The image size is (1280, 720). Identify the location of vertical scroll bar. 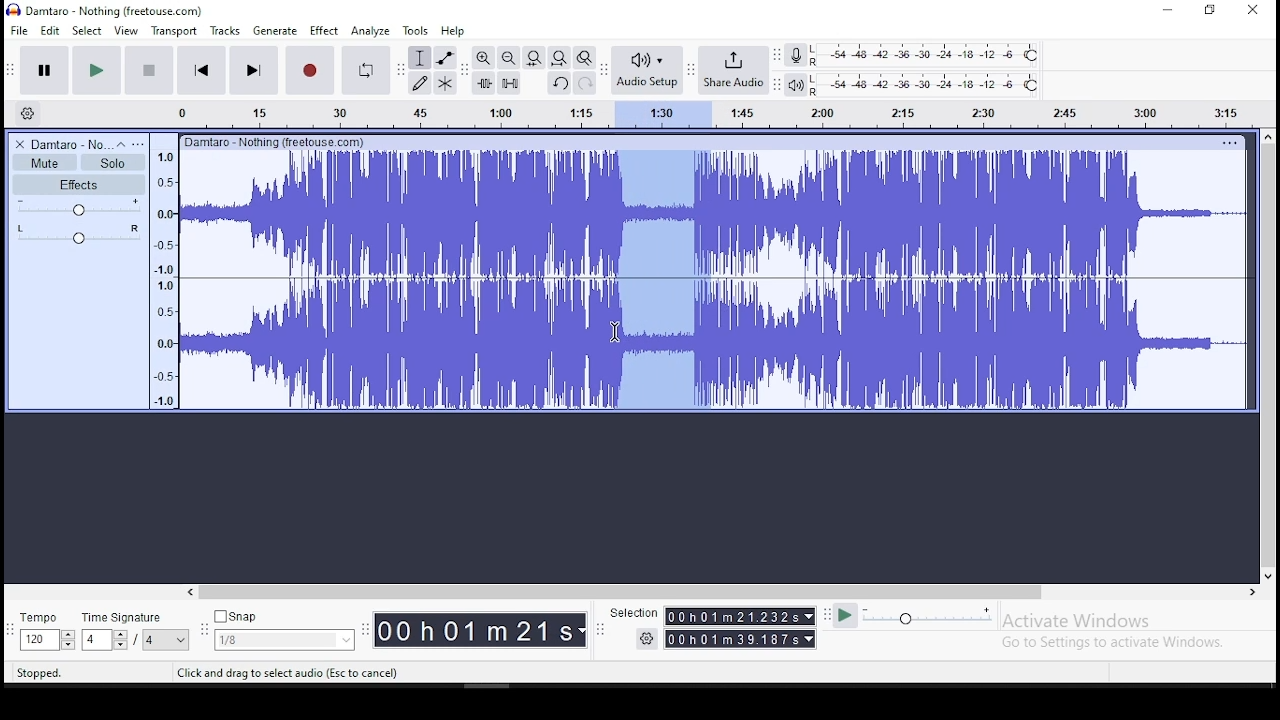
(1271, 353).